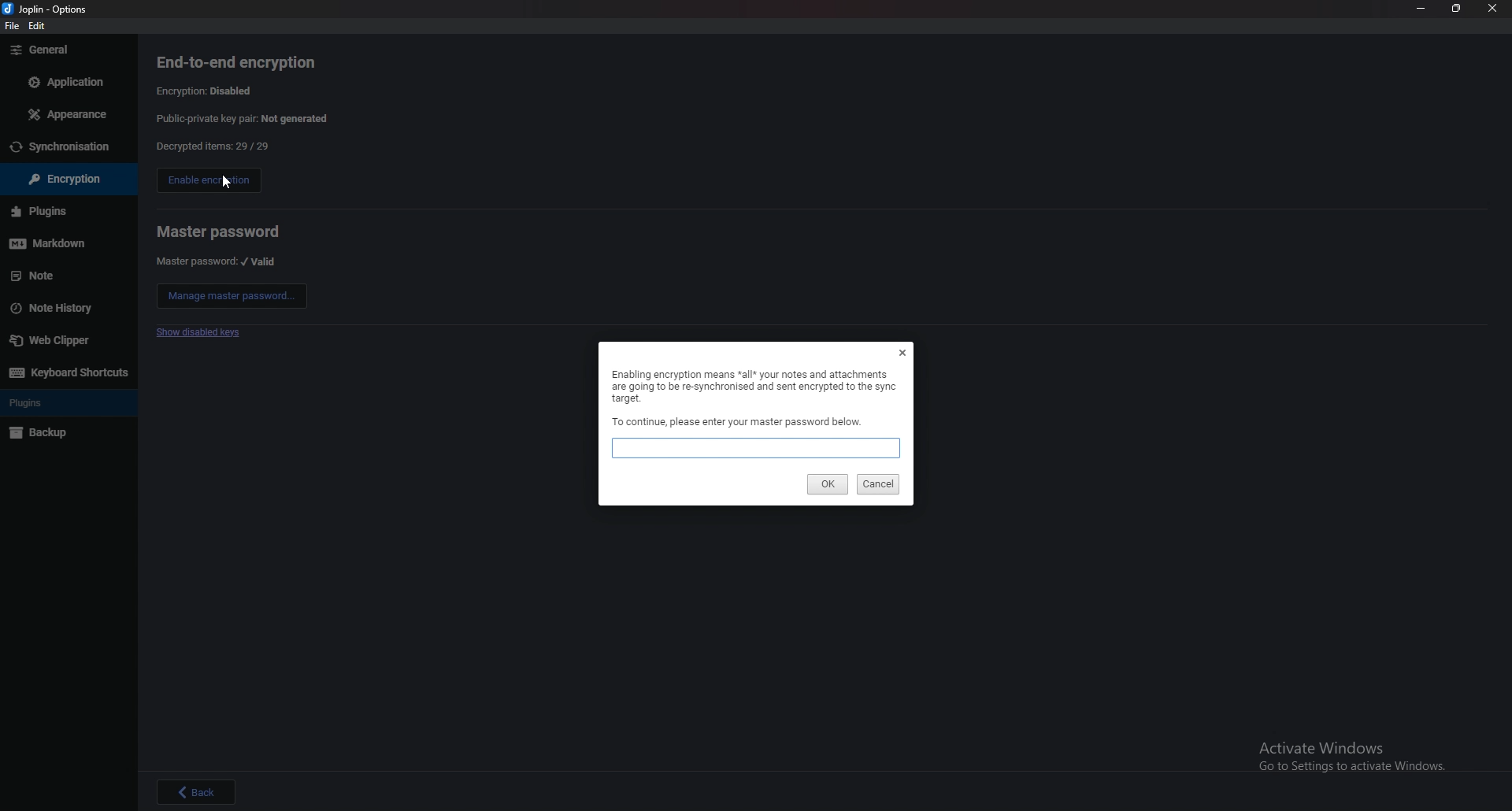  Describe the element at coordinates (10, 26) in the screenshot. I see `` at that location.